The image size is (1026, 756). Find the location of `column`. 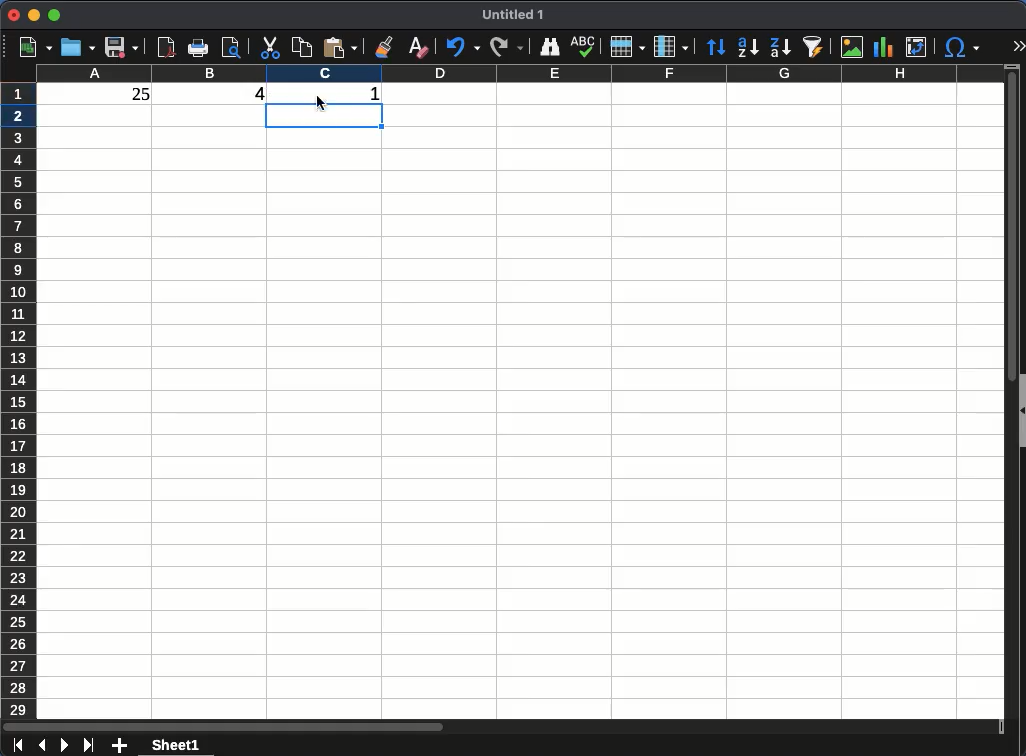

column is located at coordinates (671, 45).